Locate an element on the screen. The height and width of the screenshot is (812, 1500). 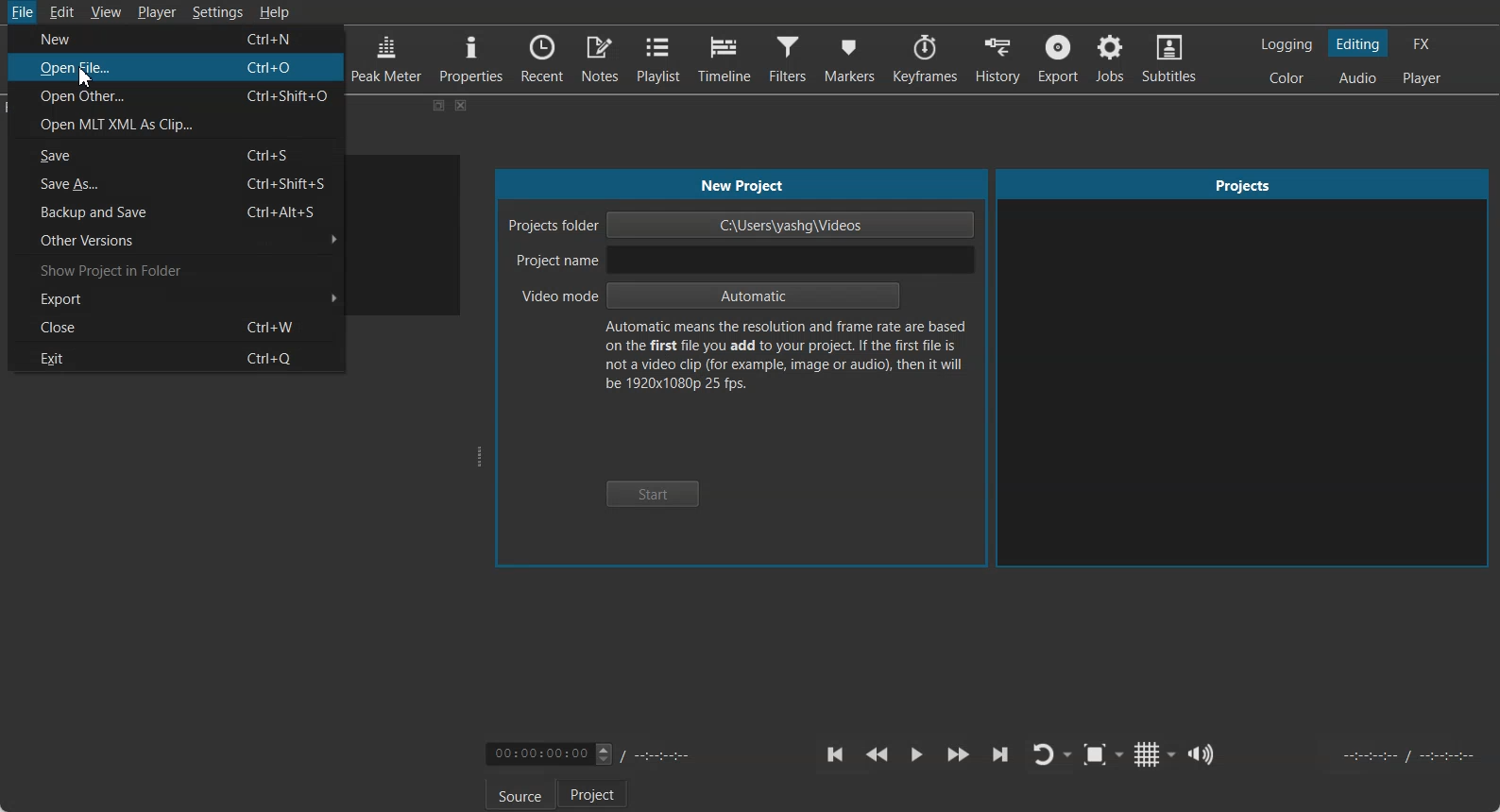
Exit is located at coordinates (102, 357).